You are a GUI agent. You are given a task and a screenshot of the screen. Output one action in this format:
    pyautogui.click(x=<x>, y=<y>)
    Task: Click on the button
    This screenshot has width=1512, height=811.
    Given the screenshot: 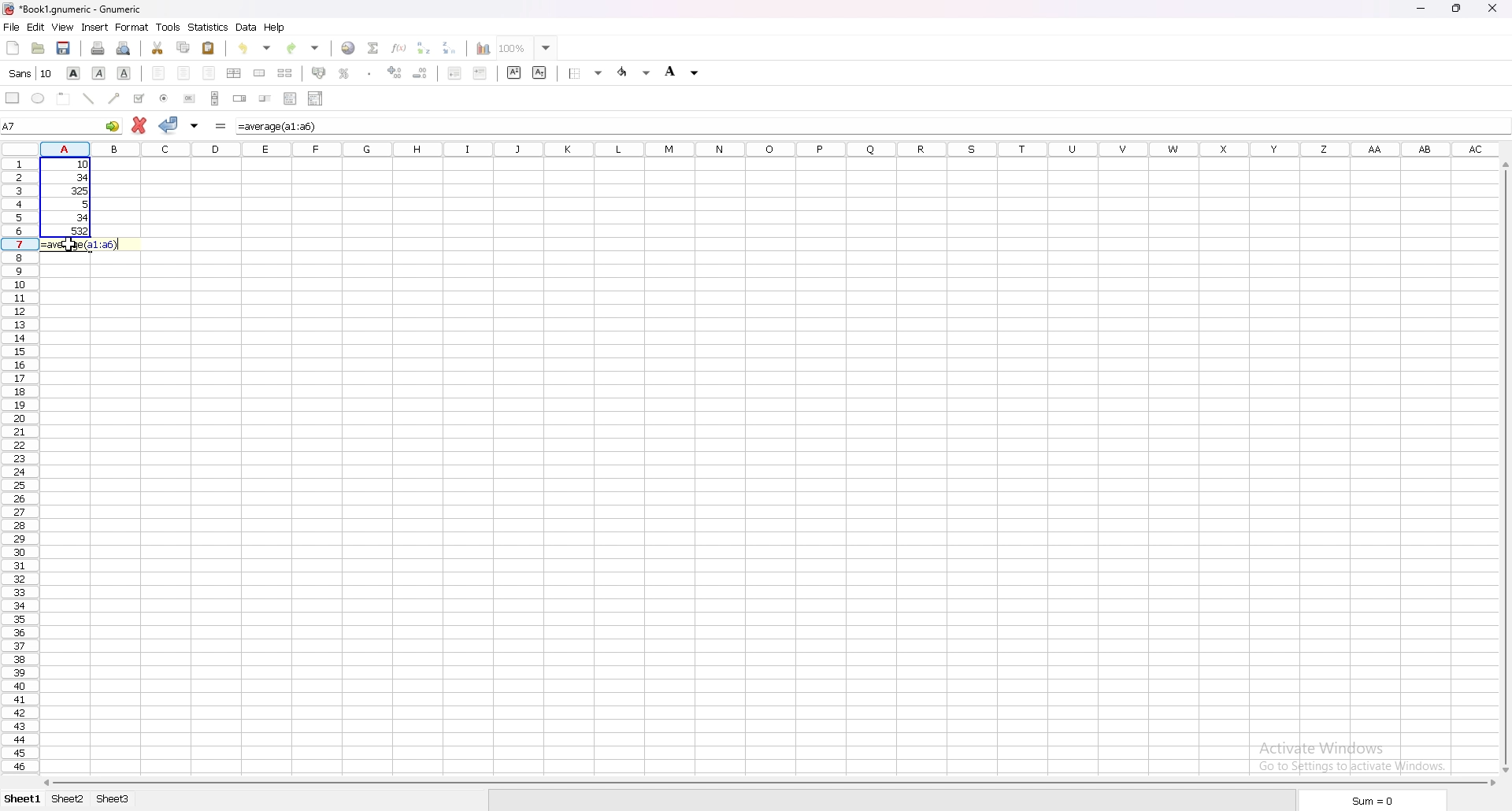 What is the action you would take?
    pyautogui.click(x=190, y=98)
    